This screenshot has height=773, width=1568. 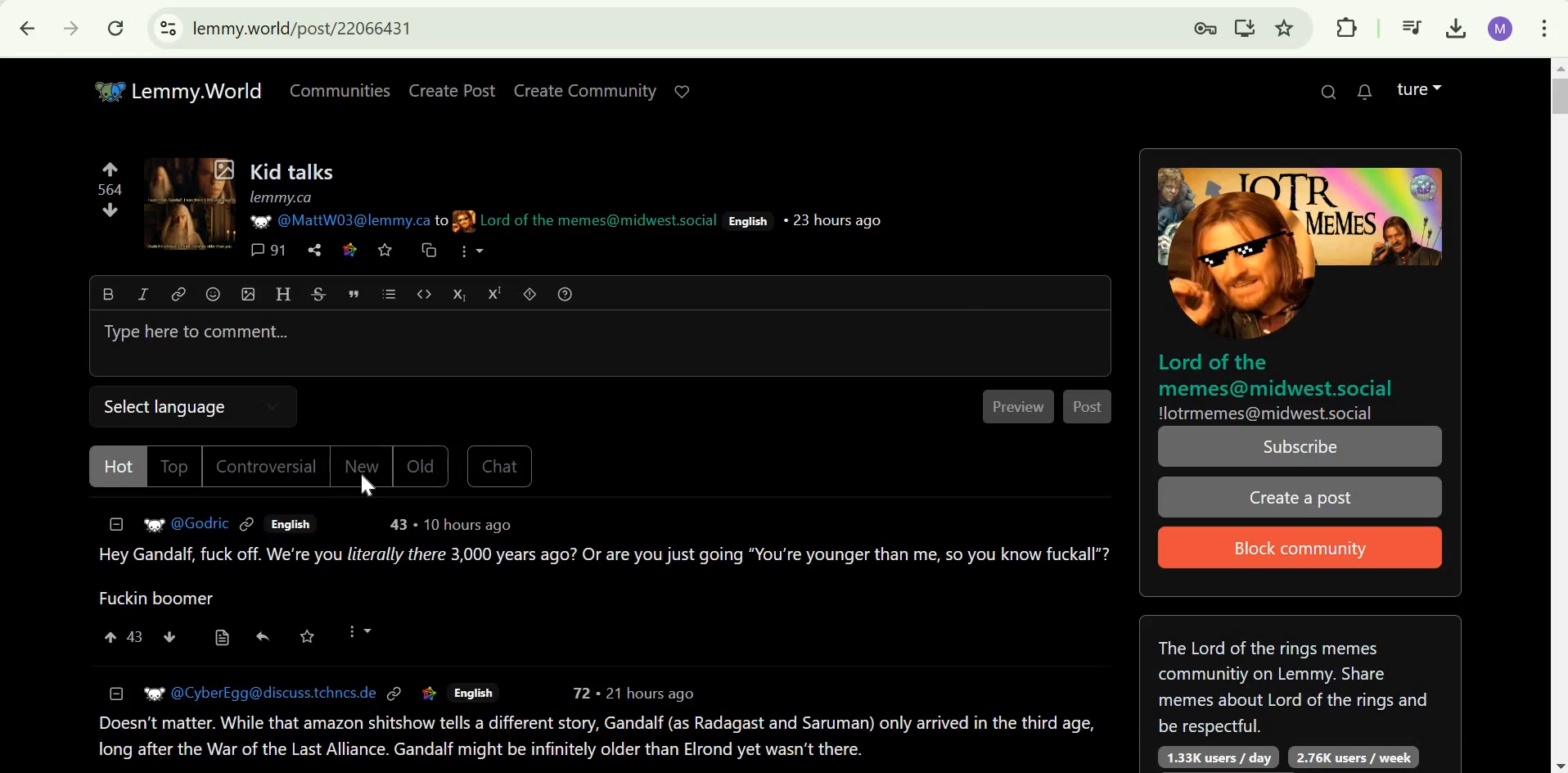 What do you see at coordinates (1278, 374) in the screenshot?
I see `Lord of the memes@midwest.social` at bounding box center [1278, 374].